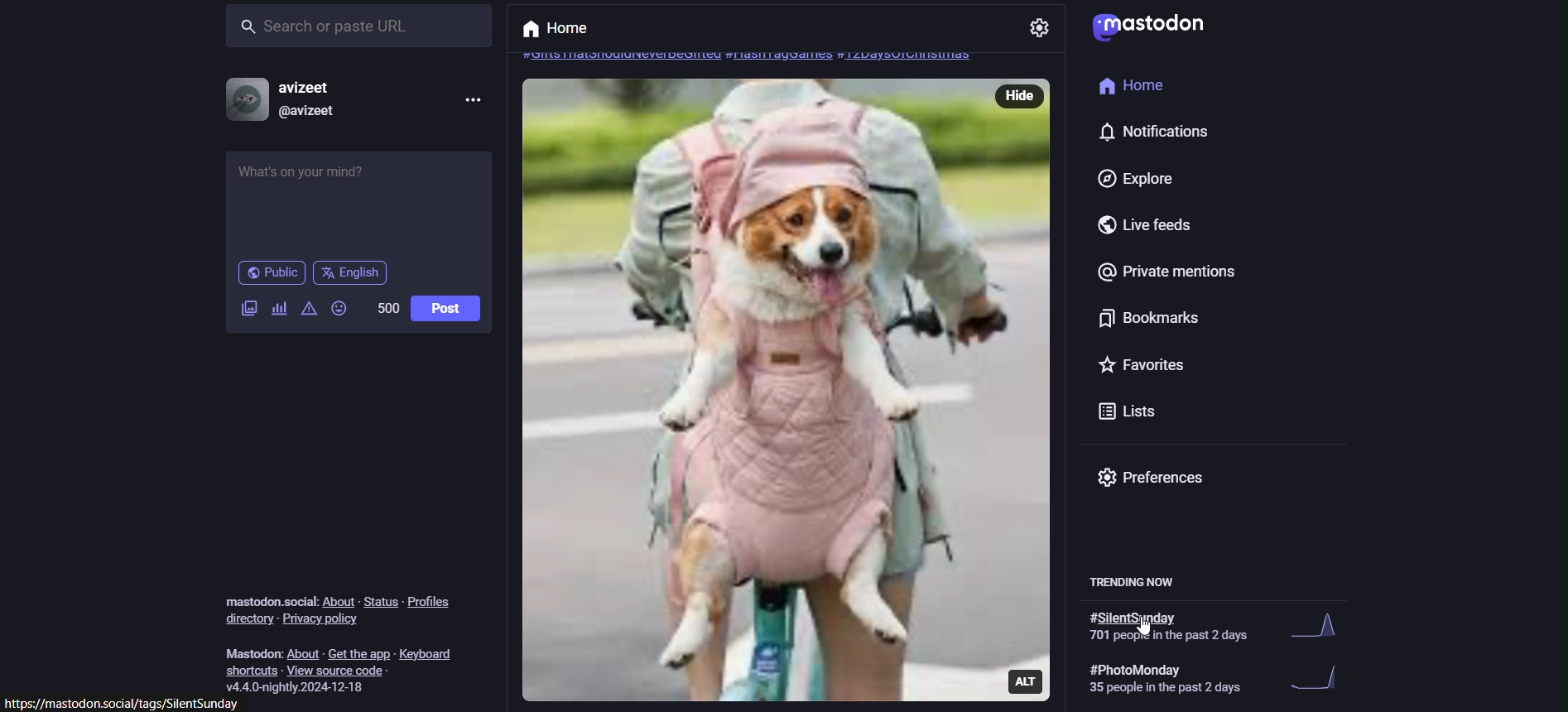 The height and width of the screenshot is (712, 1568). What do you see at coordinates (436, 604) in the screenshot?
I see `profiles` at bounding box center [436, 604].